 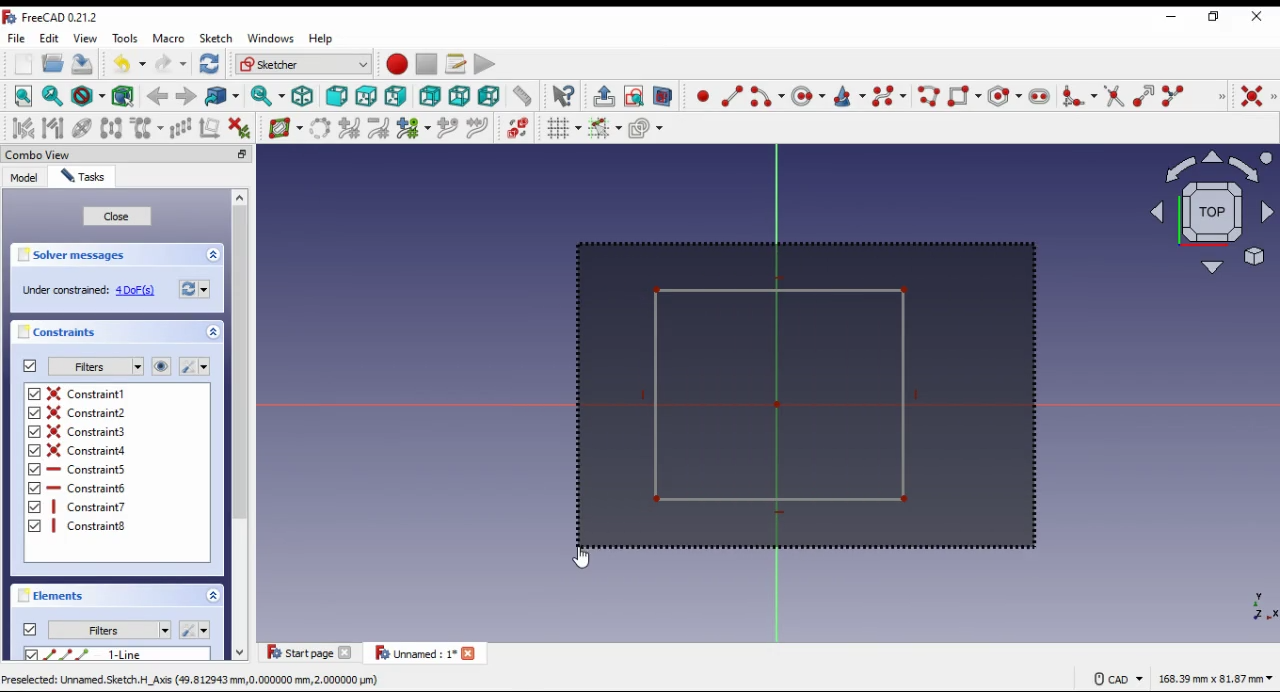 I want to click on trim edge, so click(x=1114, y=95).